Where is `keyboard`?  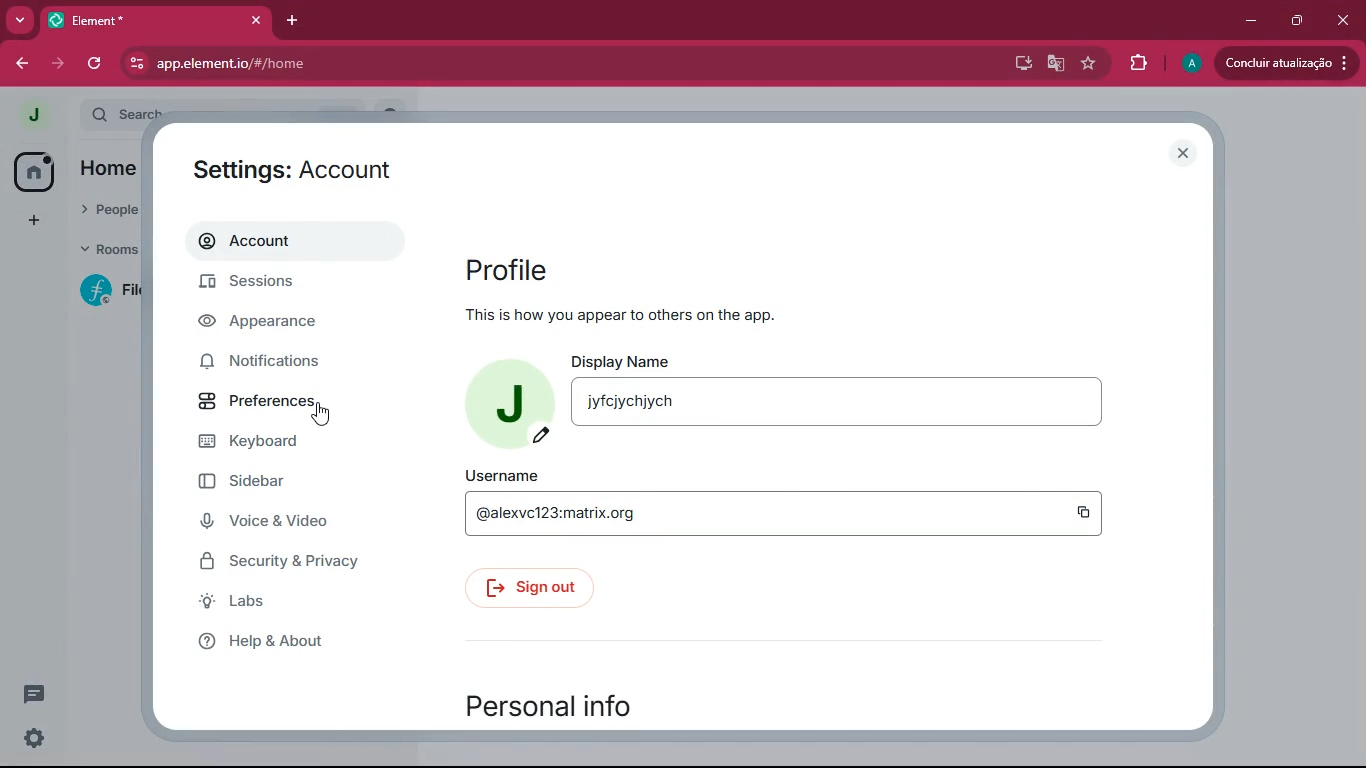 keyboard is located at coordinates (271, 442).